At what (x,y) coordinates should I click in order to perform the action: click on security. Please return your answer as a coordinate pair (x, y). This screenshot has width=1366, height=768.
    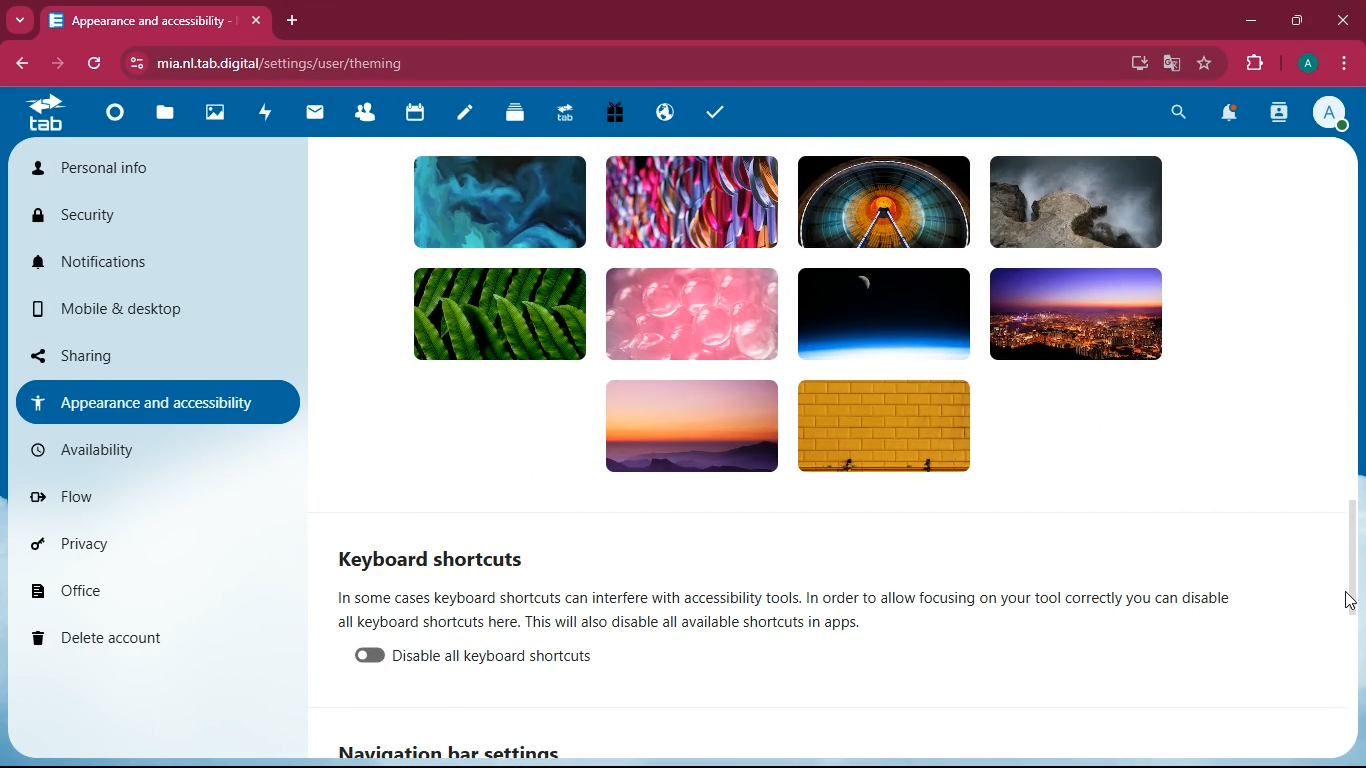
    Looking at the image, I should click on (131, 218).